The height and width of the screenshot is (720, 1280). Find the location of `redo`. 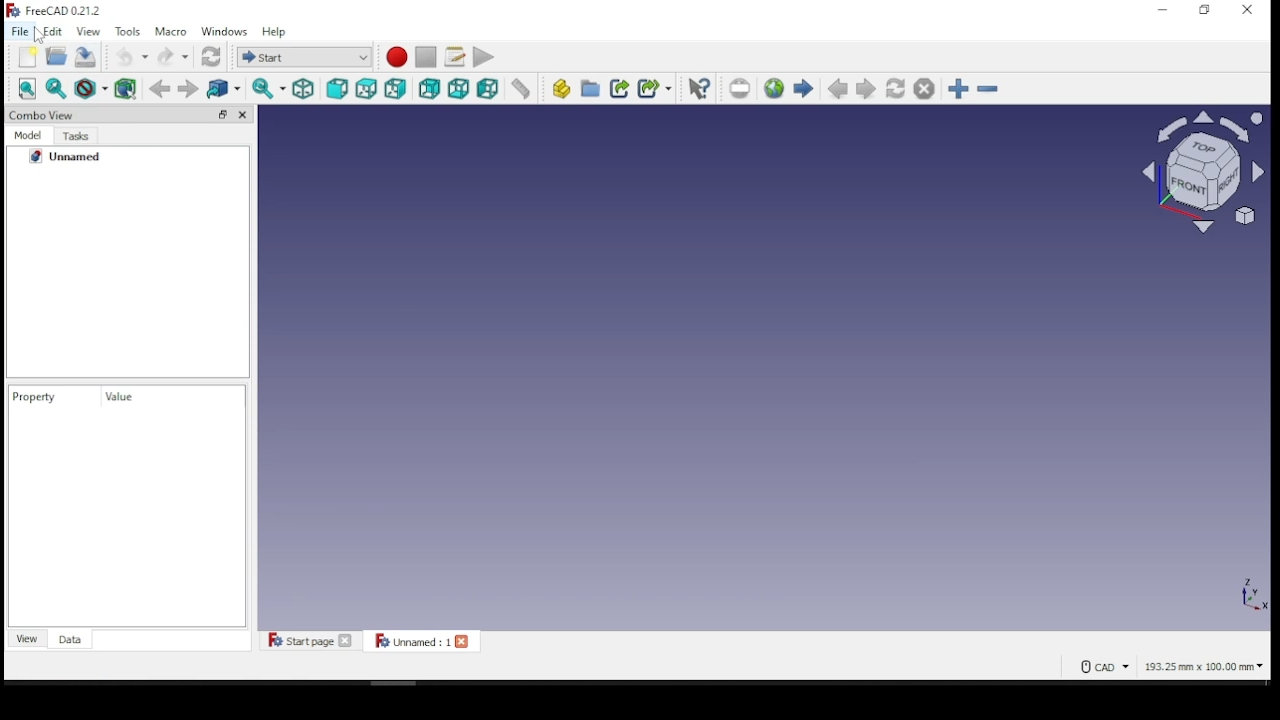

redo is located at coordinates (172, 56).